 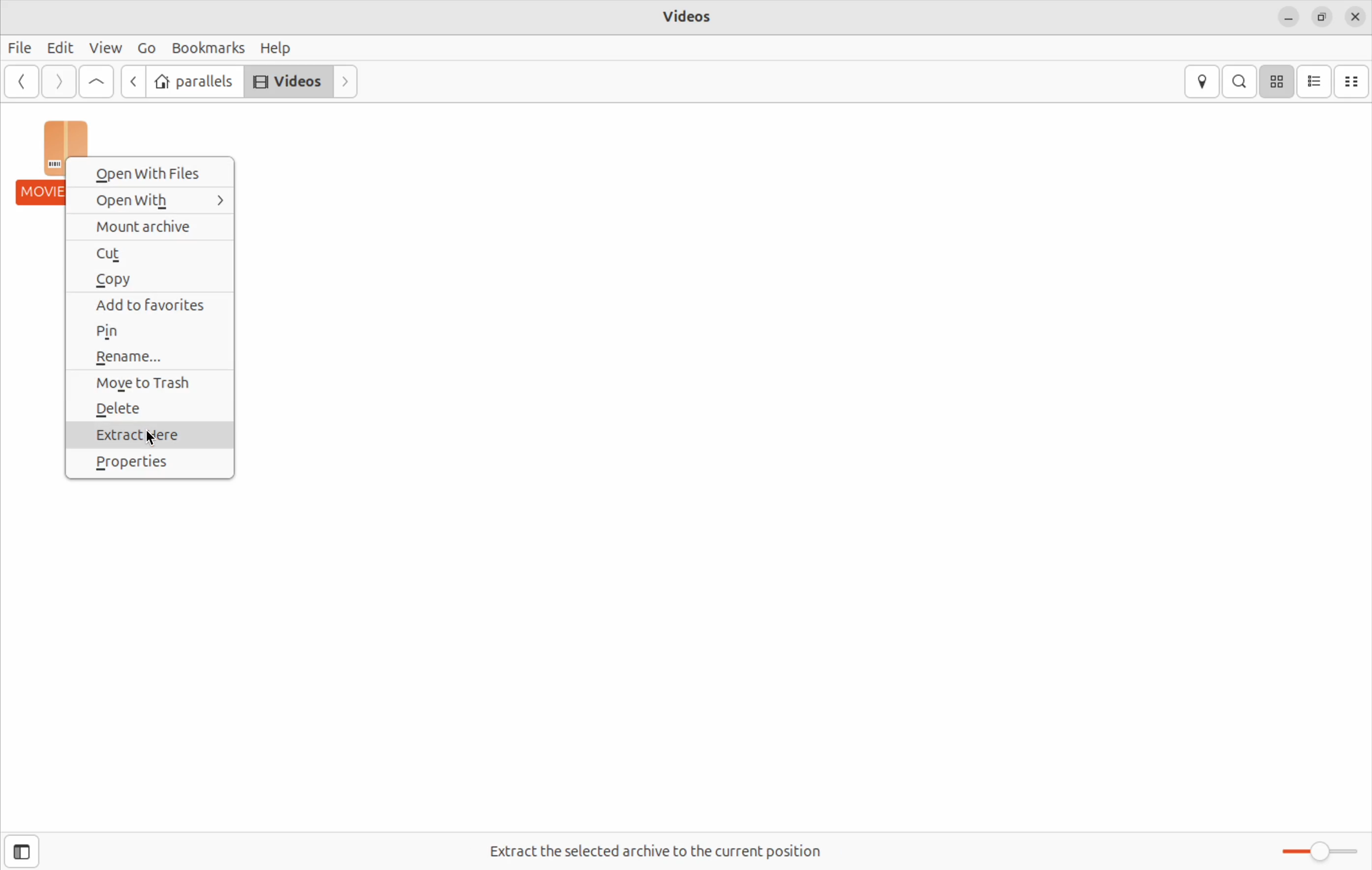 I want to click on show side bar, so click(x=22, y=851).